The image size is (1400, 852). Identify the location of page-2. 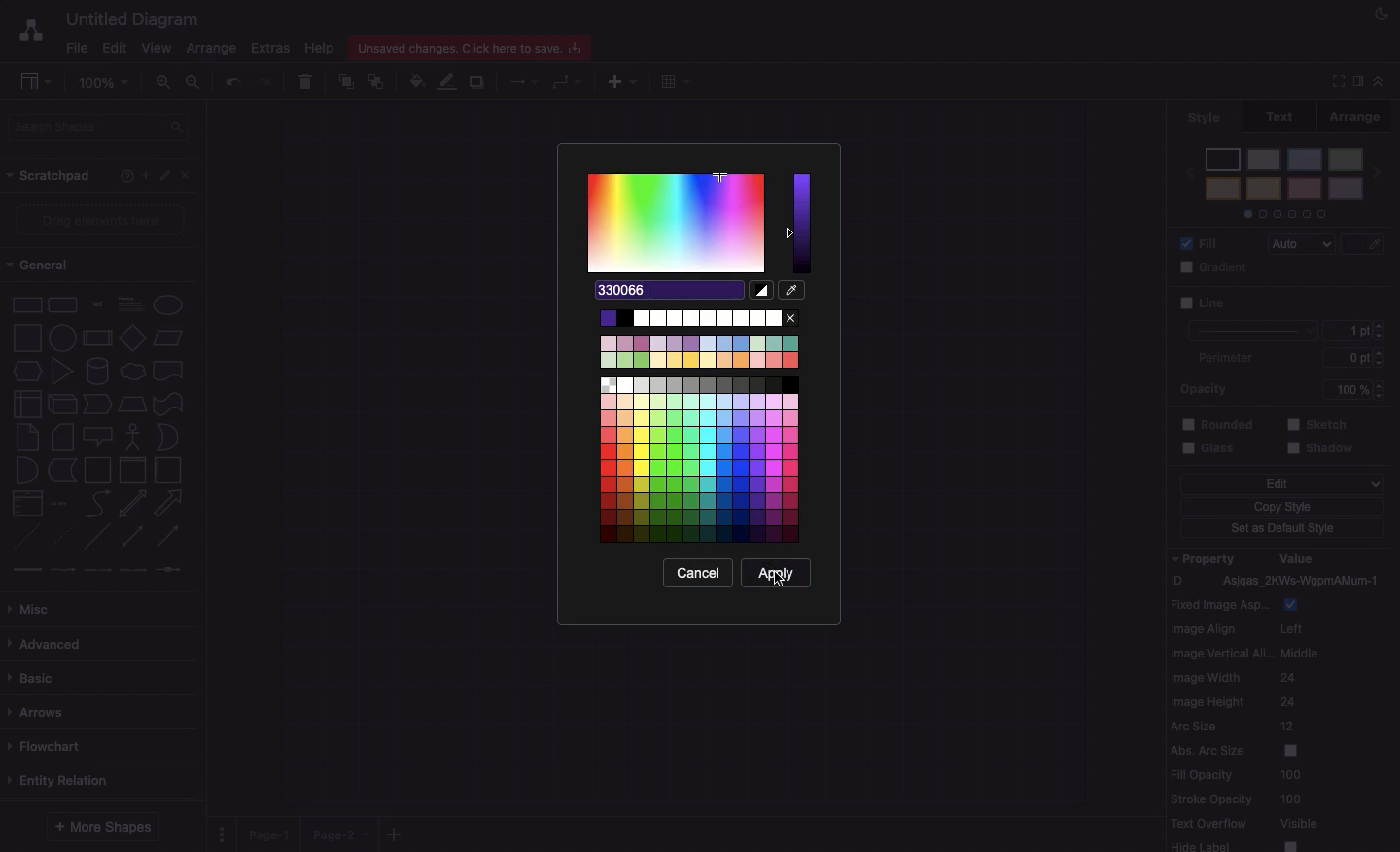
(342, 834).